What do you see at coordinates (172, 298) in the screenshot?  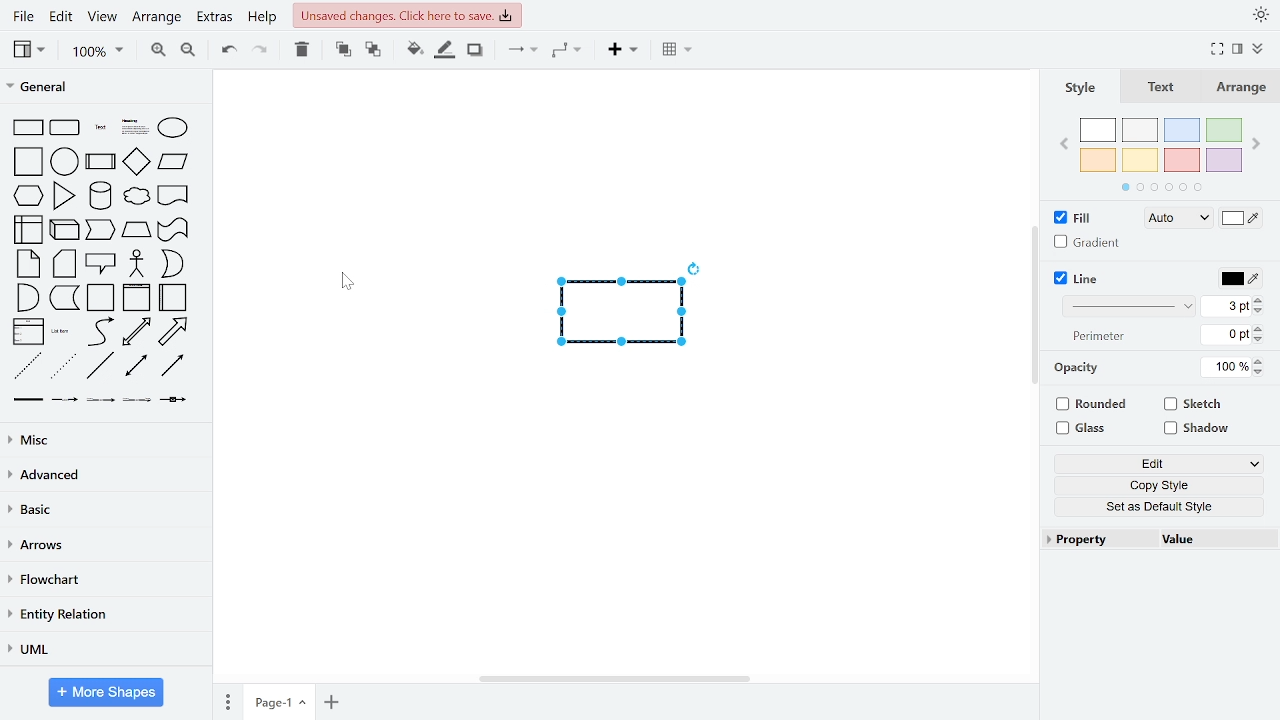 I see `general shapes` at bounding box center [172, 298].